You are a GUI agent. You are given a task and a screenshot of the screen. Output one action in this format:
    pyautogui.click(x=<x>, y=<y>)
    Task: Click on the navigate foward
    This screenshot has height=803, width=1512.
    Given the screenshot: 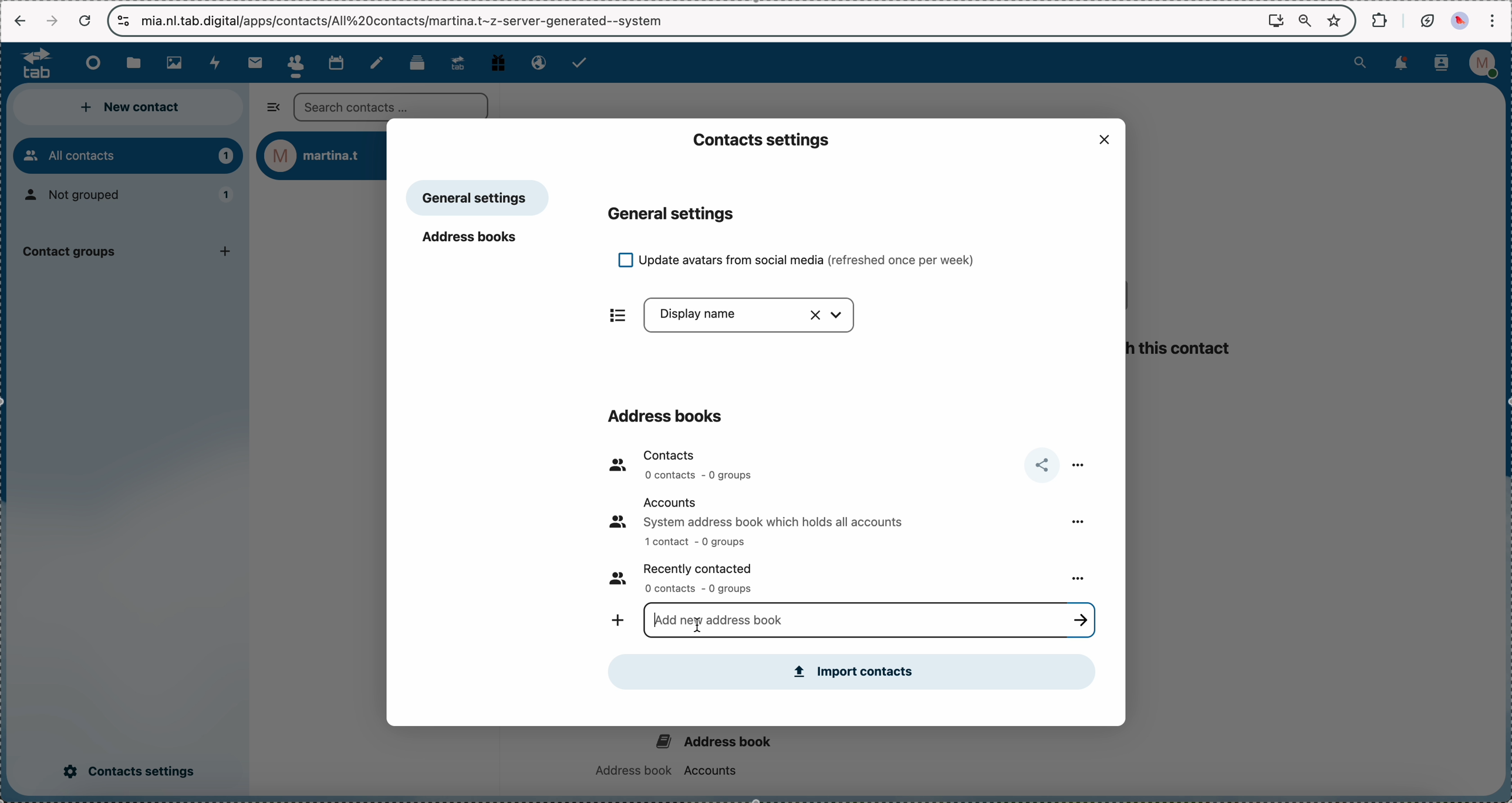 What is the action you would take?
    pyautogui.click(x=49, y=20)
    